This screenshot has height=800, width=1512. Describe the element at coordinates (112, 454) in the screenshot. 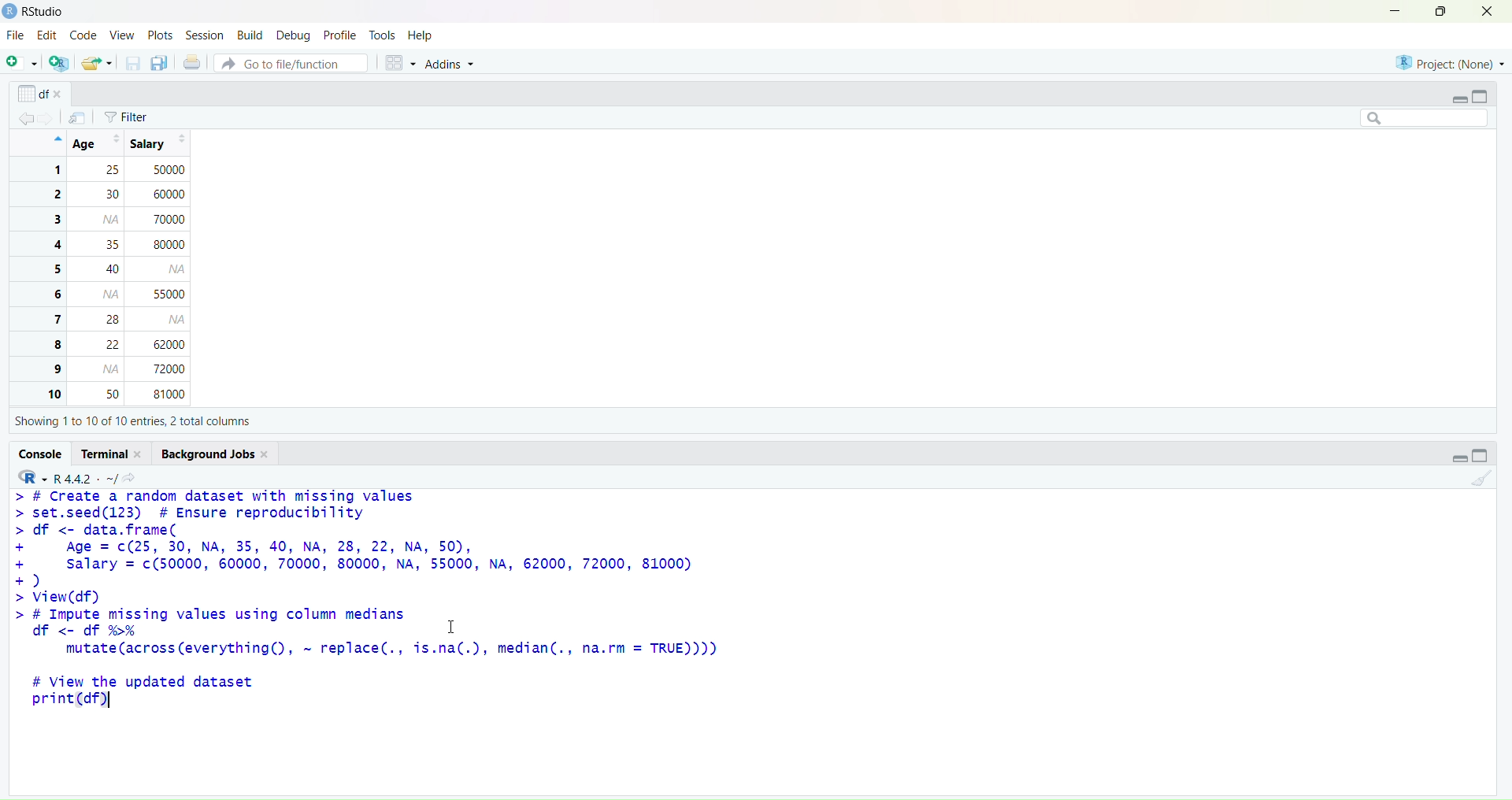

I see `terminal` at that location.